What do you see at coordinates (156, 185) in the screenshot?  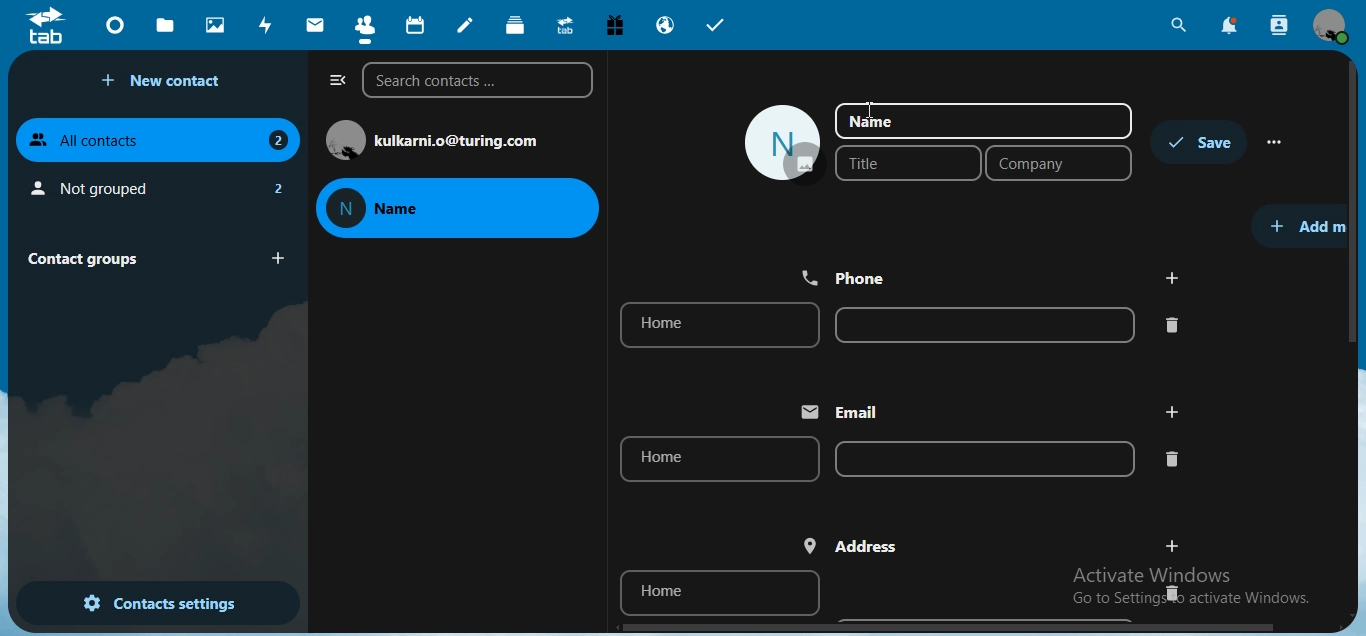 I see `not grouped` at bounding box center [156, 185].